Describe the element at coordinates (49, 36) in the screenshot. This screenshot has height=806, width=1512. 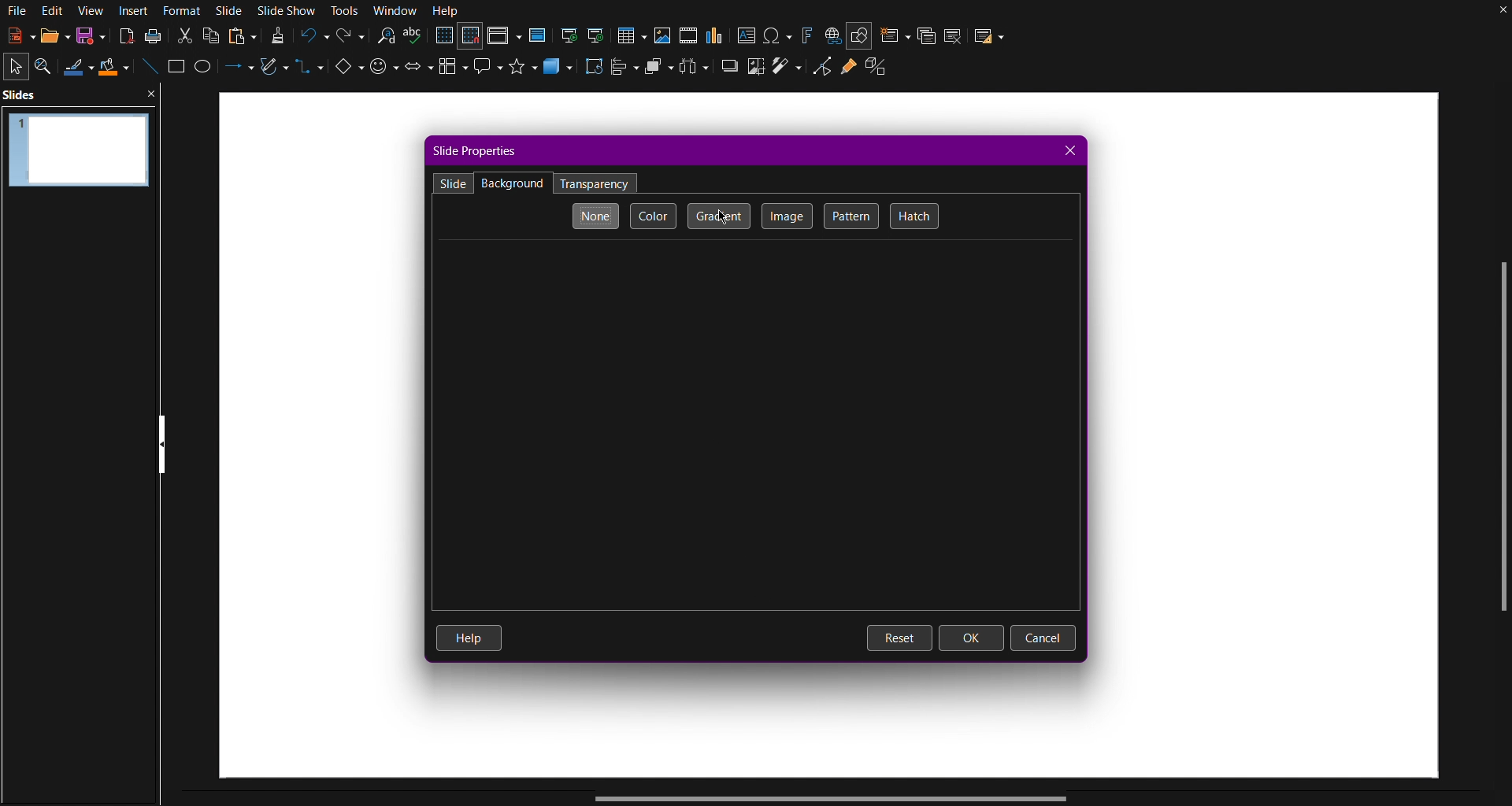
I see `Open` at that location.